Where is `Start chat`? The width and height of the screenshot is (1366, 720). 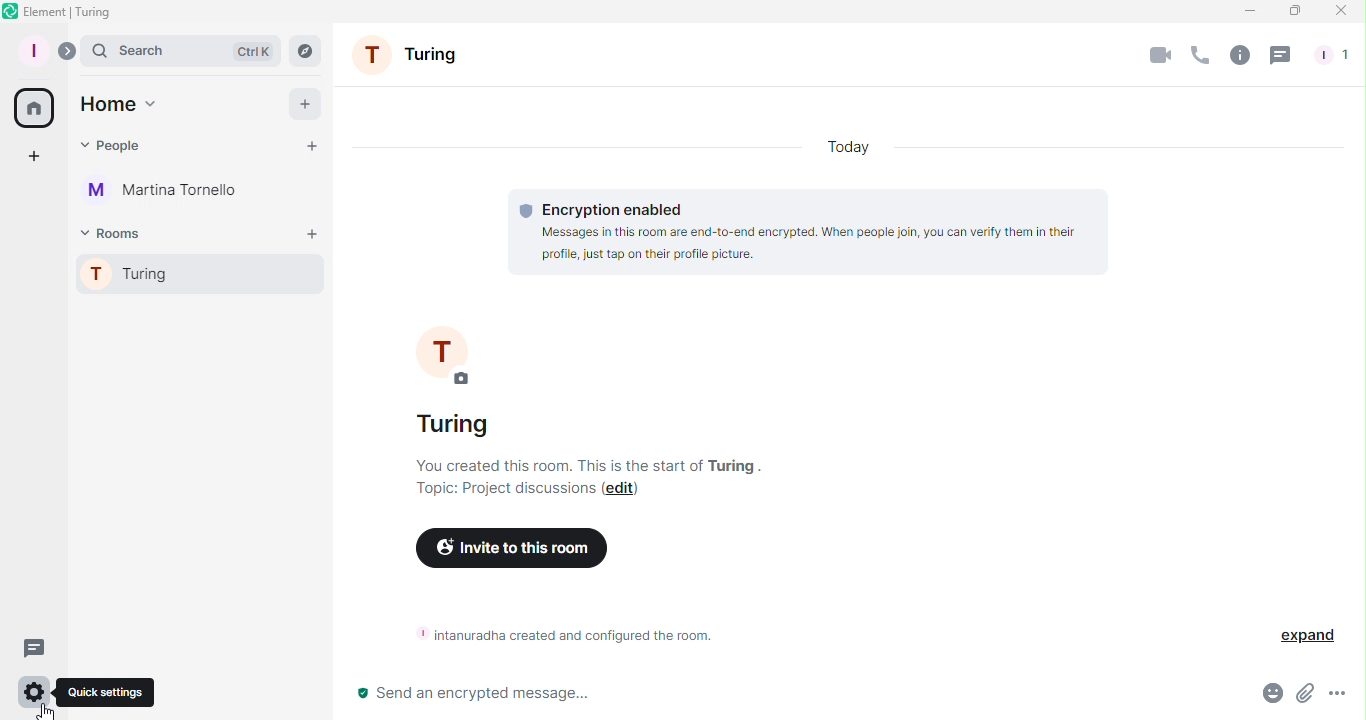 Start chat is located at coordinates (306, 146).